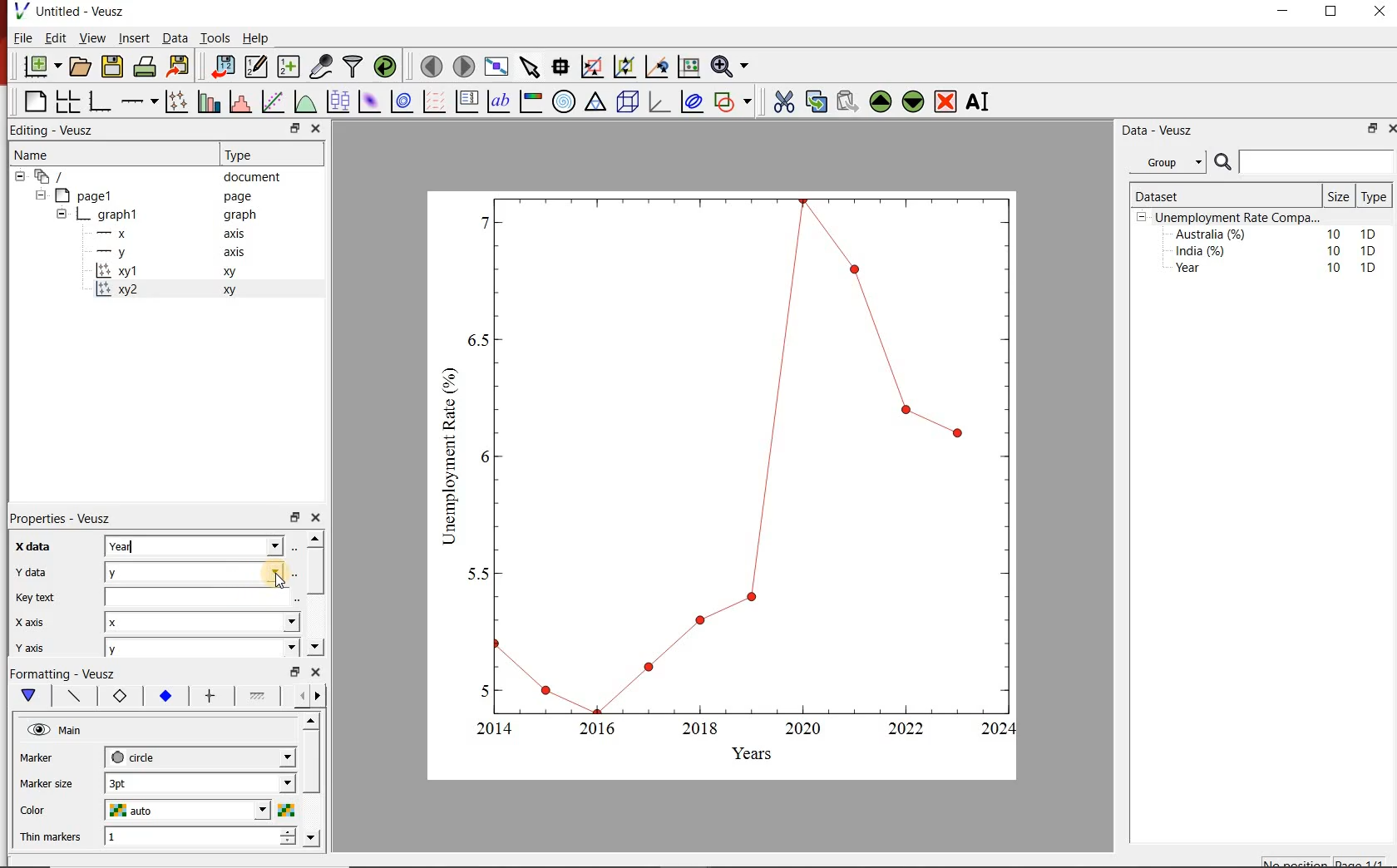 The image size is (1397, 868). Describe the element at coordinates (315, 538) in the screenshot. I see `move up` at that location.